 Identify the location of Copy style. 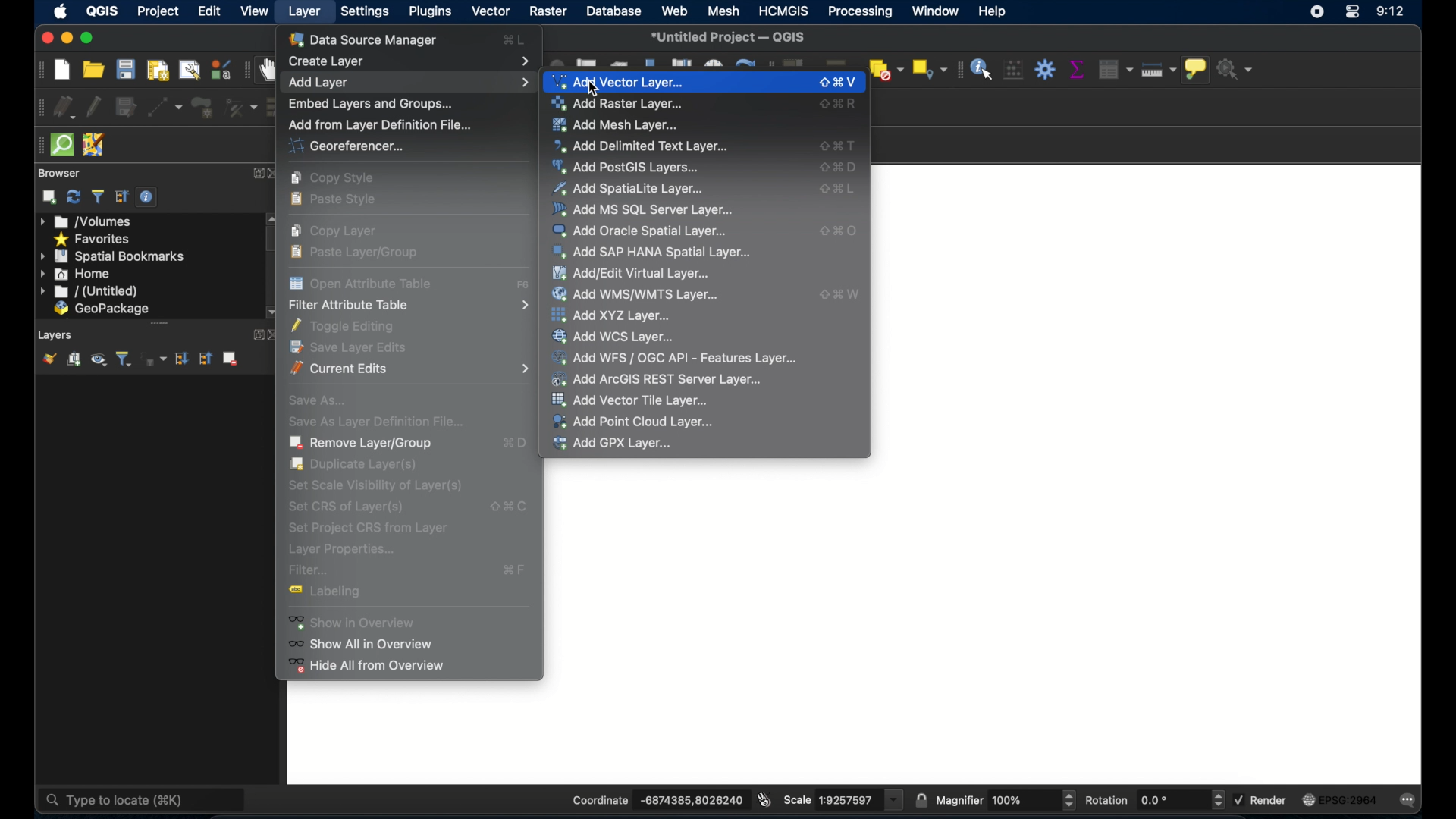
(342, 178).